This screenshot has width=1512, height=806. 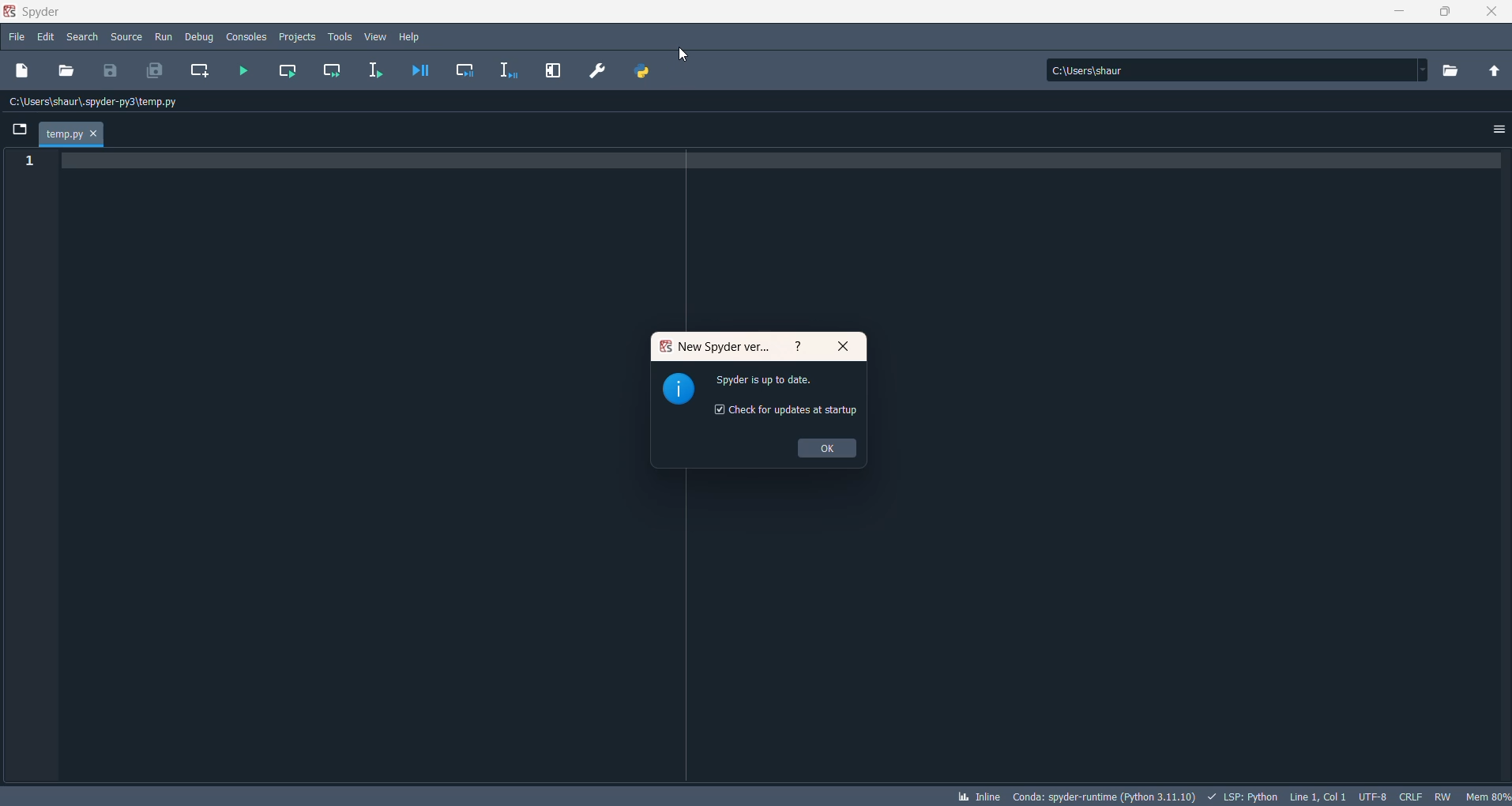 What do you see at coordinates (844, 348) in the screenshot?
I see `close` at bounding box center [844, 348].